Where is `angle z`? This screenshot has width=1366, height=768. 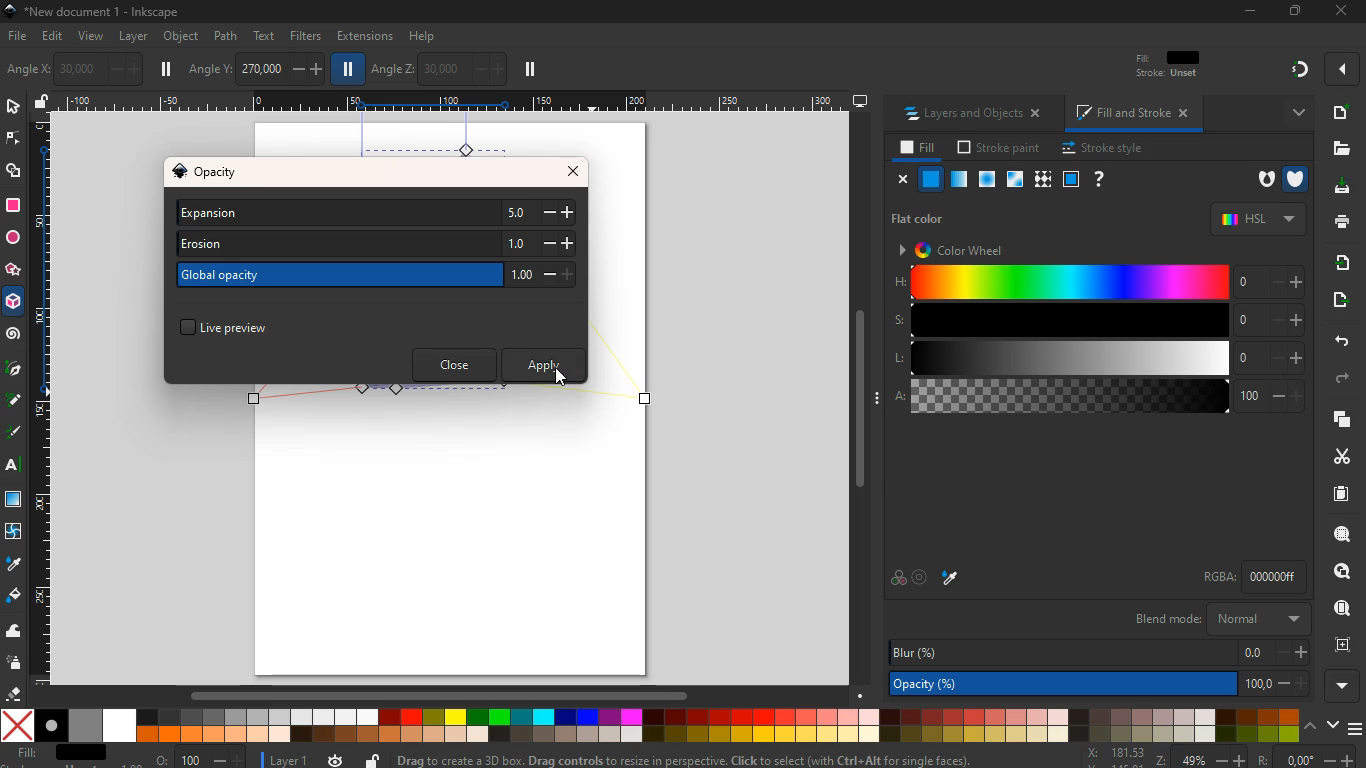
angle z is located at coordinates (437, 68).